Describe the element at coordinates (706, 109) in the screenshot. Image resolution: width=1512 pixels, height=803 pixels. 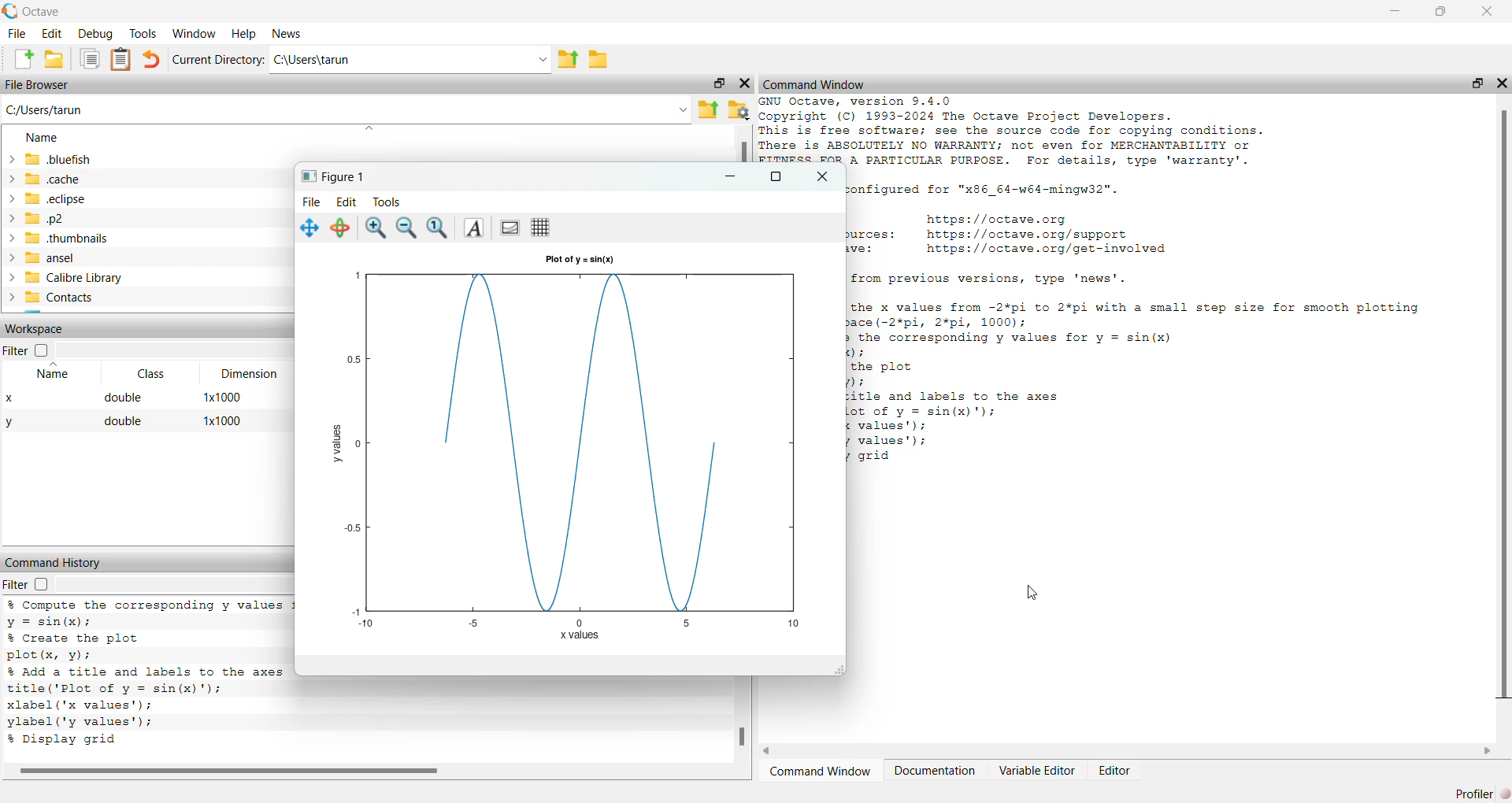
I see `Parent directory` at that location.